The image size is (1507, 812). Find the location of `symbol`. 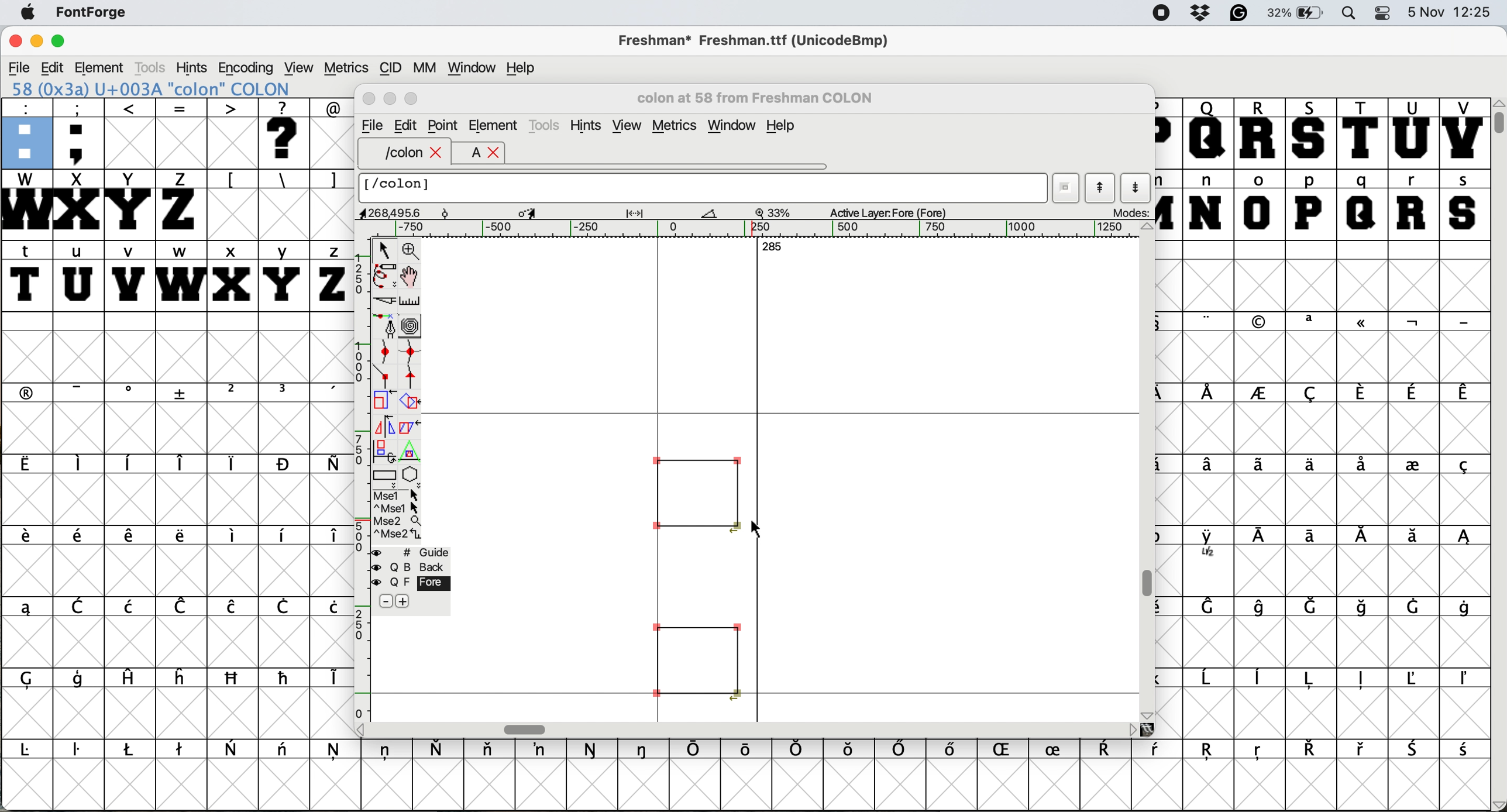

symbol is located at coordinates (330, 607).